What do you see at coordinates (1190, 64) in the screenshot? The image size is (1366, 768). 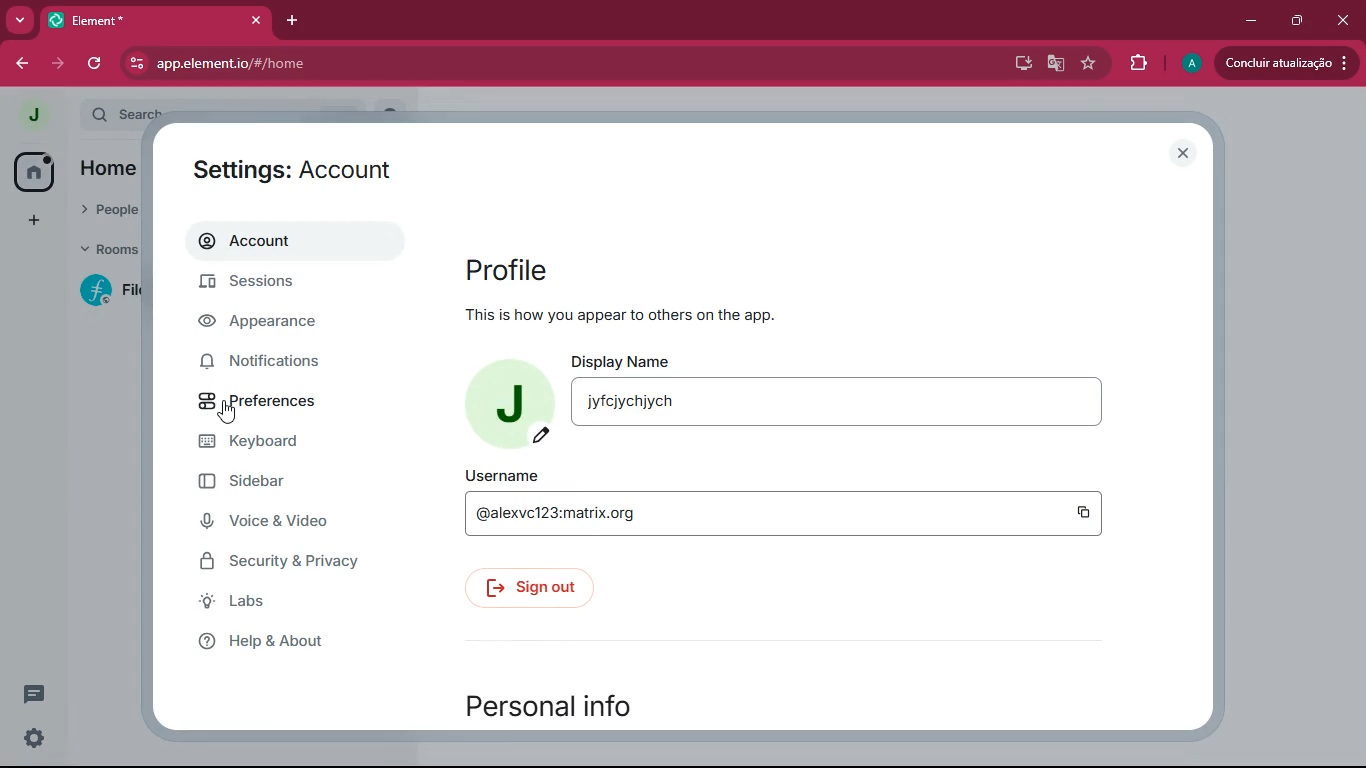 I see `profile picture` at bounding box center [1190, 64].